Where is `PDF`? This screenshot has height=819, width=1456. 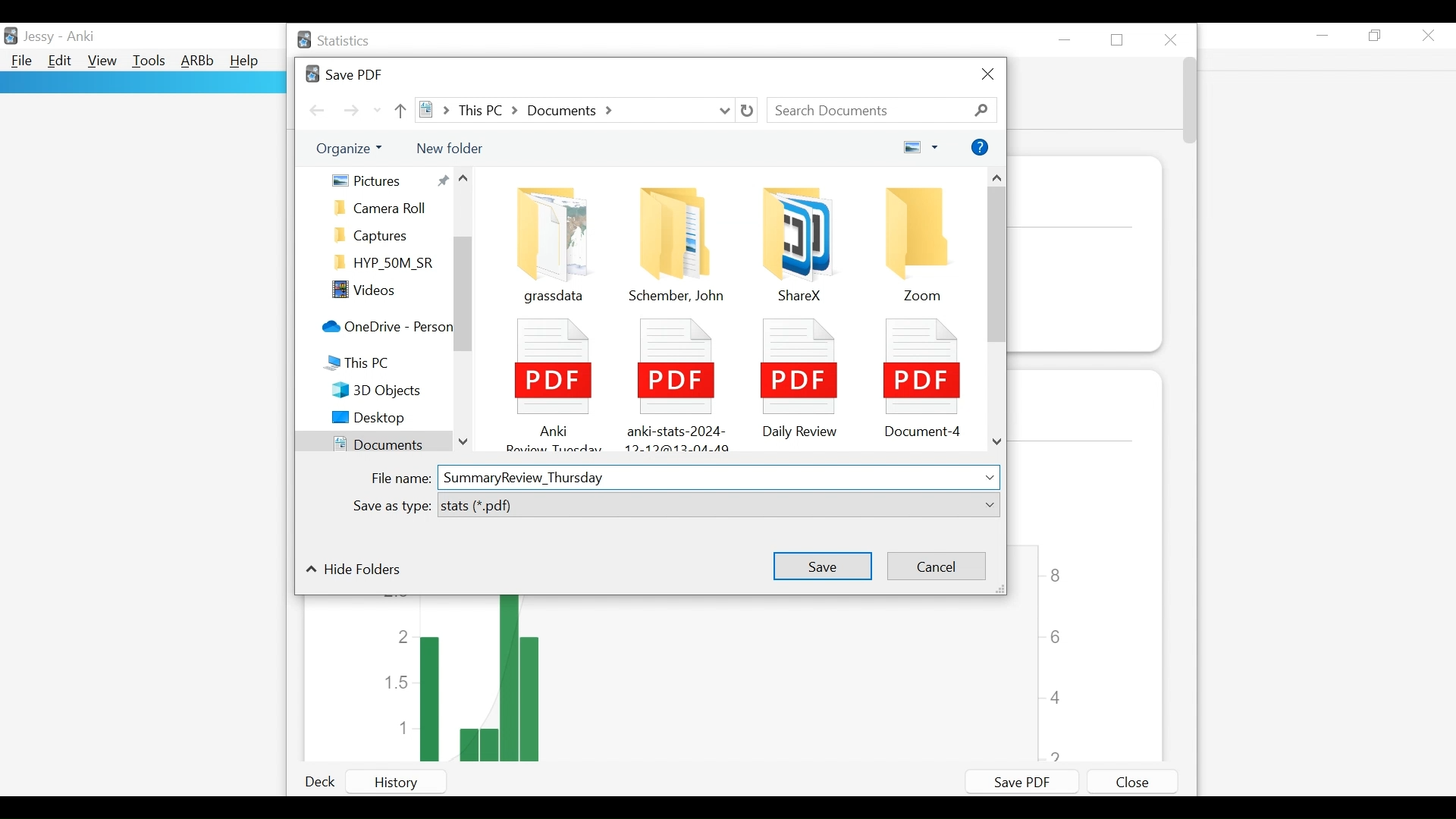
PDF is located at coordinates (550, 380).